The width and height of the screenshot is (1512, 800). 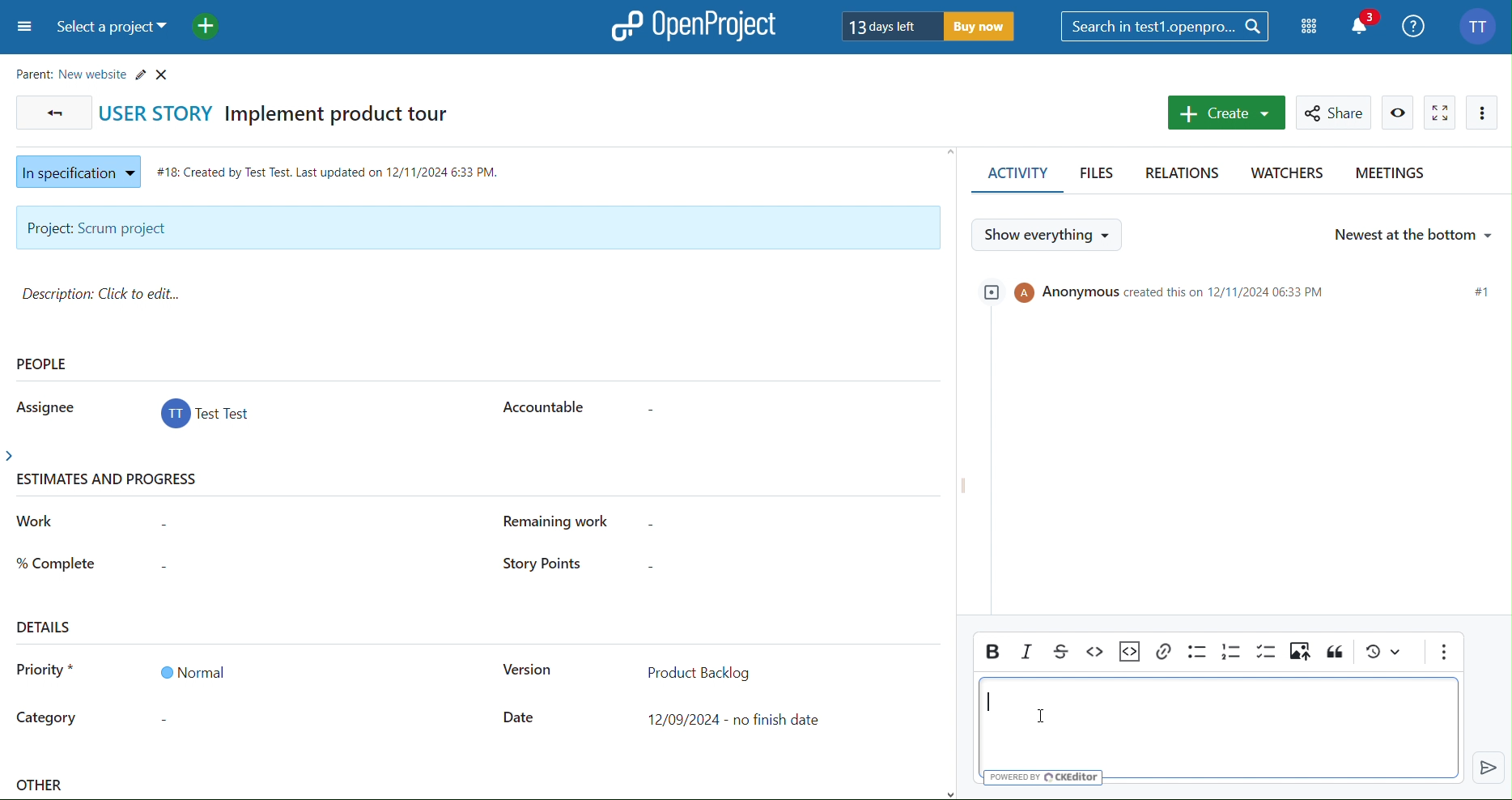 What do you see at coordinates (699, 670) in the screenshot?
I see `Product Backlog` at bounding box center [699, 670].